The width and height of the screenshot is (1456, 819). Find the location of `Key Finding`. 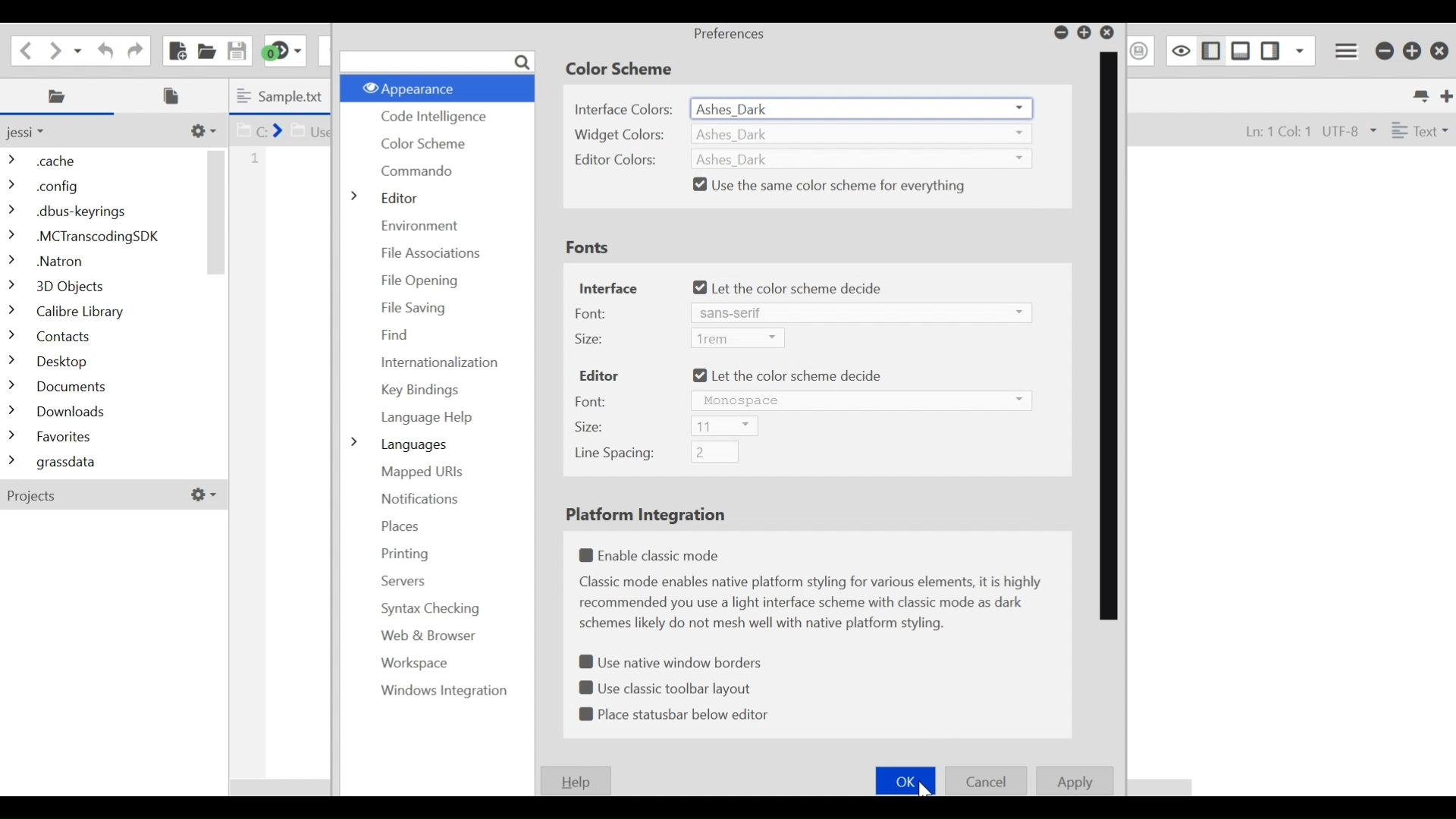

Key Finding is located at coordinates (422, 391).